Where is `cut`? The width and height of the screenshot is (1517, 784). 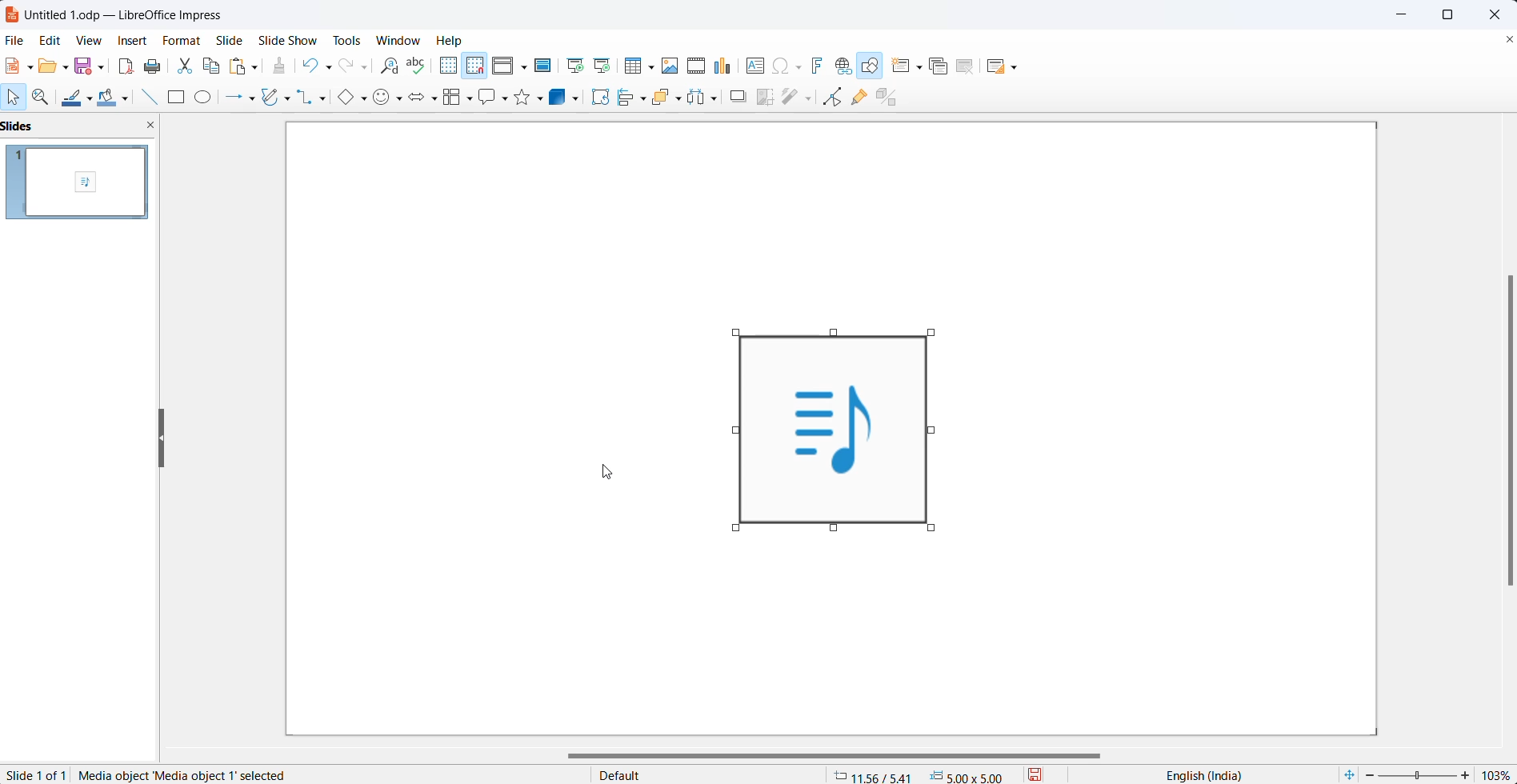 cut is located at coordinates (182, 67).